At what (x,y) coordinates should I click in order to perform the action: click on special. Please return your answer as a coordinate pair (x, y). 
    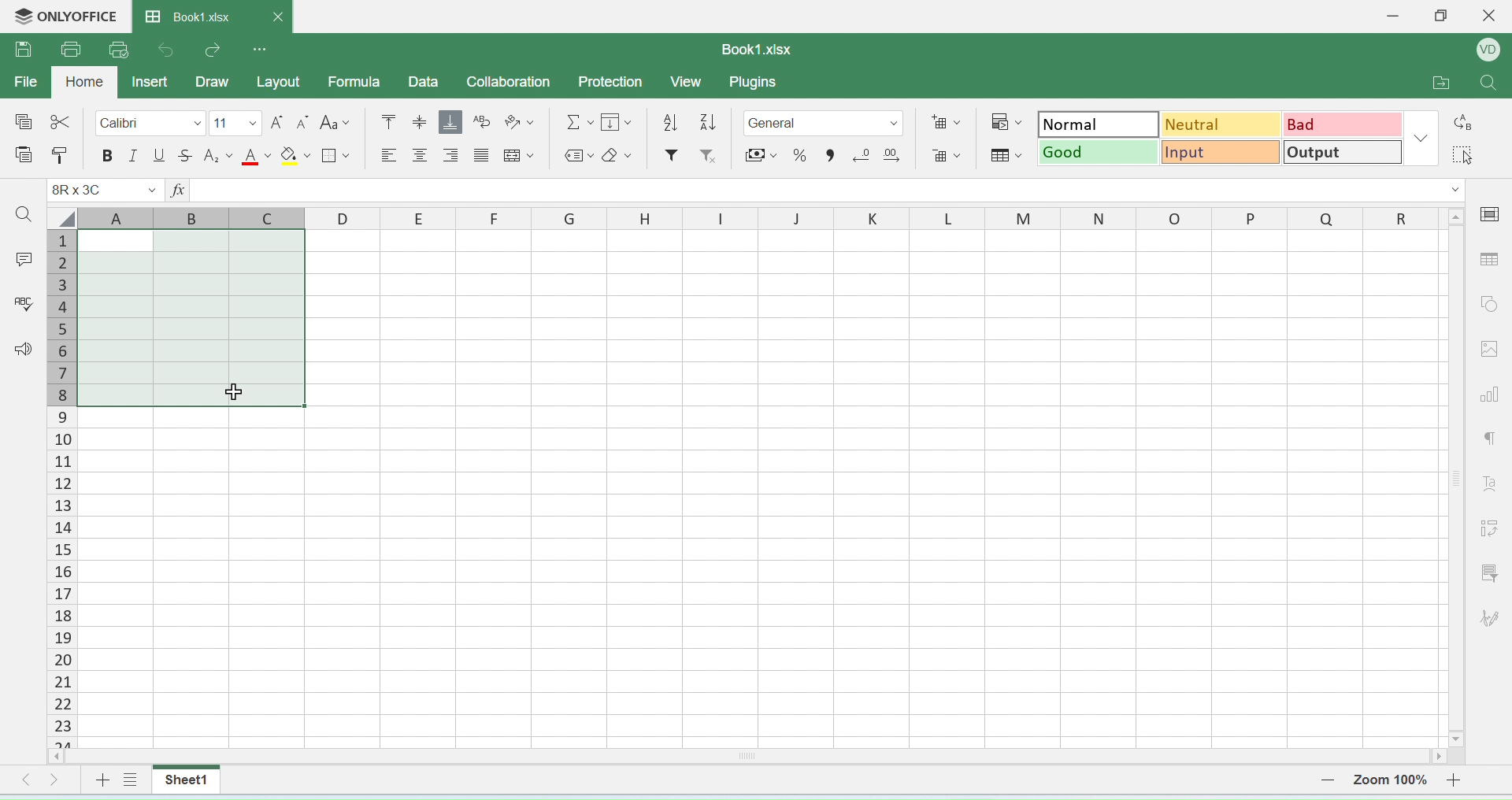
    Looking at the image, I should click on (22, 122).